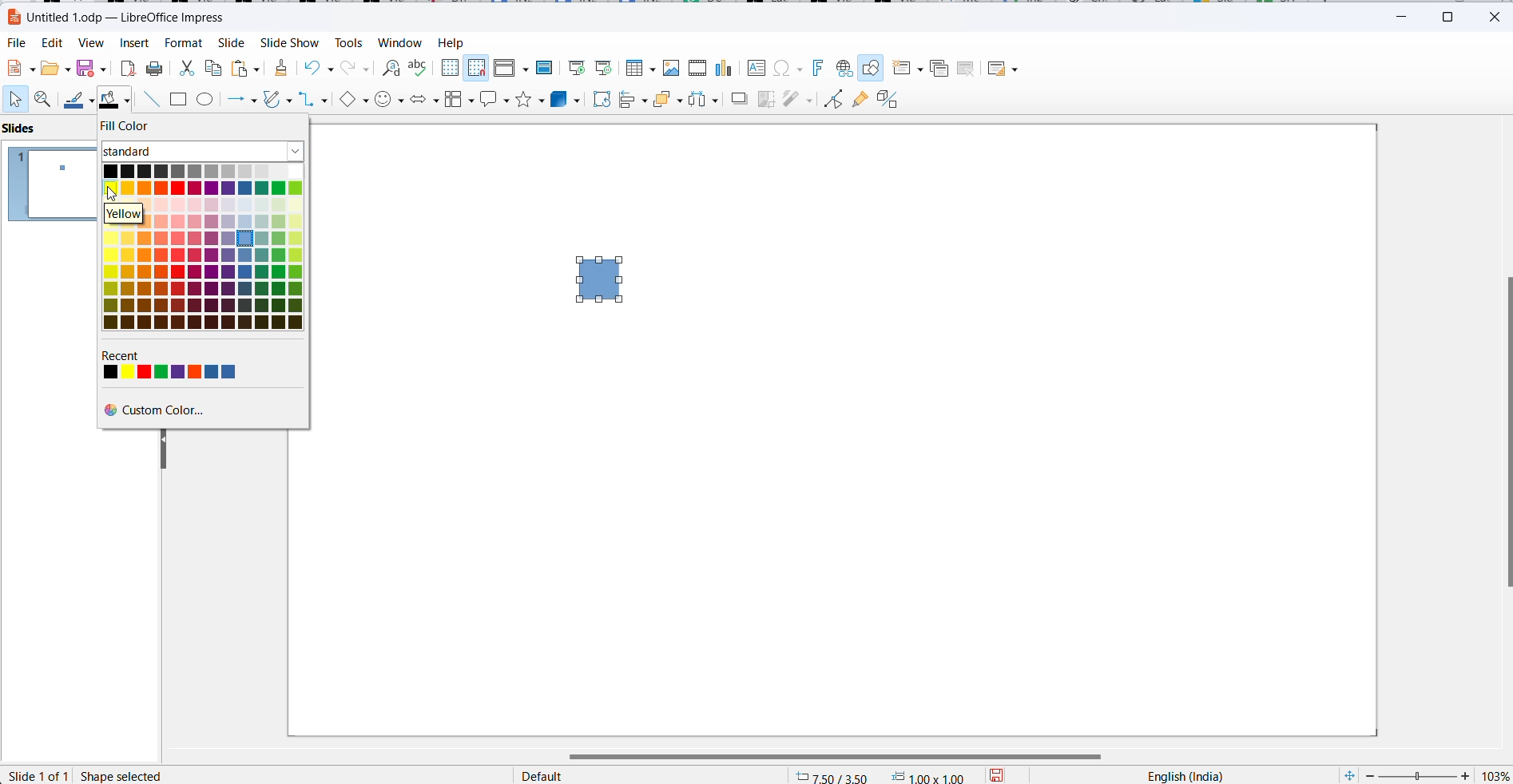 Image resolution: width=1513 pixels, height=784 pixels. What do you see at coordinates (820, 67) in the screenshot?
I see `Insert font work text` at bounding box center [820, 67].